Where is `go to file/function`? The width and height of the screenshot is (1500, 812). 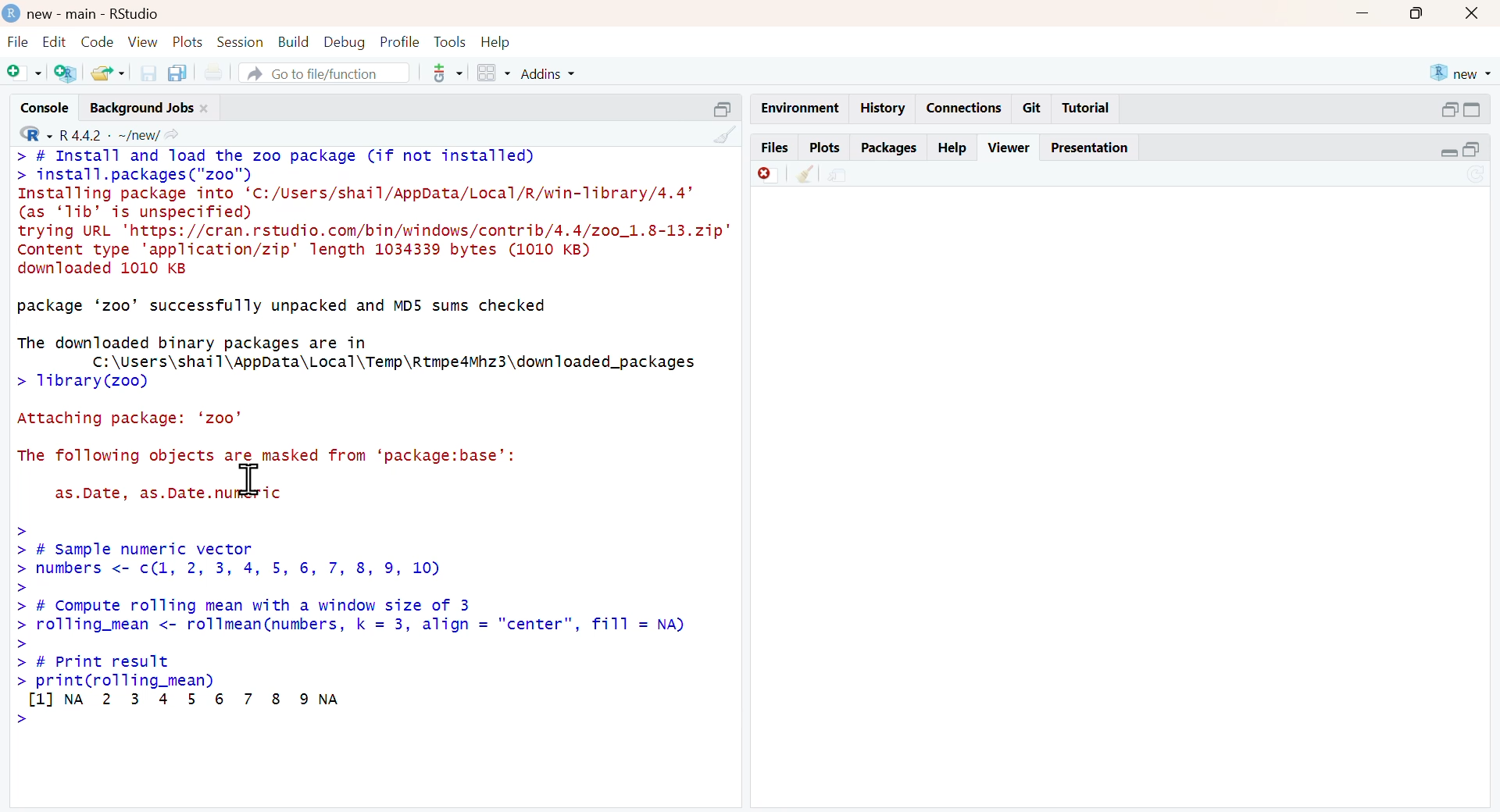
go to file/function is located at coordinates (323, 73).